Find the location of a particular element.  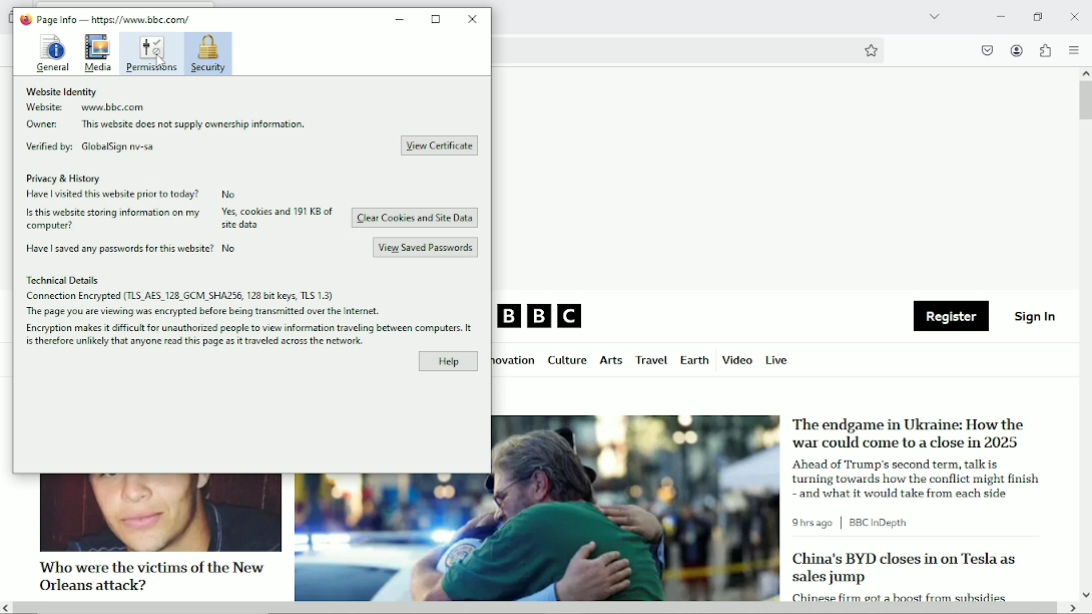

General is located at coordinates (51, 52).